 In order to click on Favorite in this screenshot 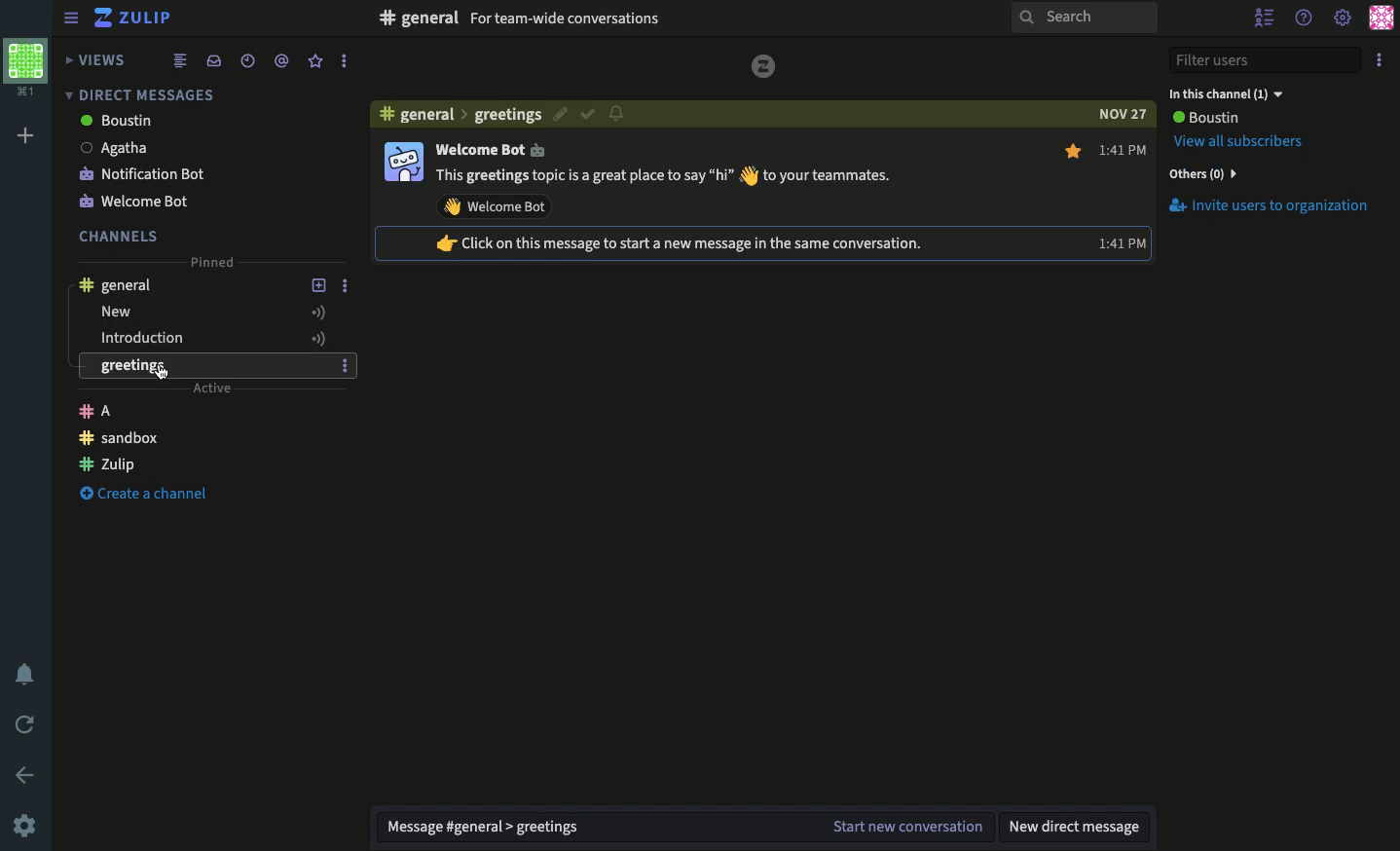, I will do `click(316, 60)`.